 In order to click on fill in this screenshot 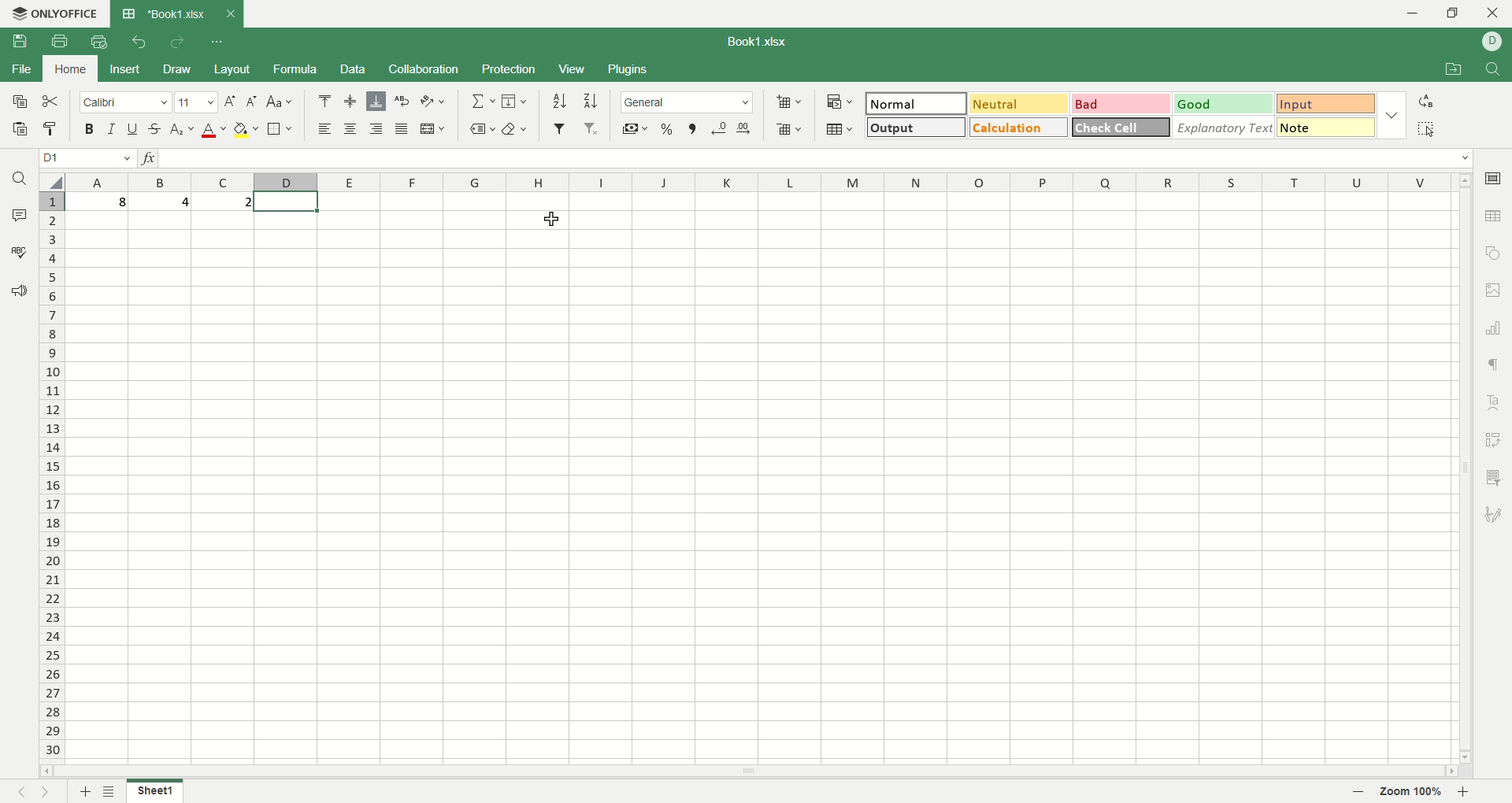, I will do `click(515, 101)`.